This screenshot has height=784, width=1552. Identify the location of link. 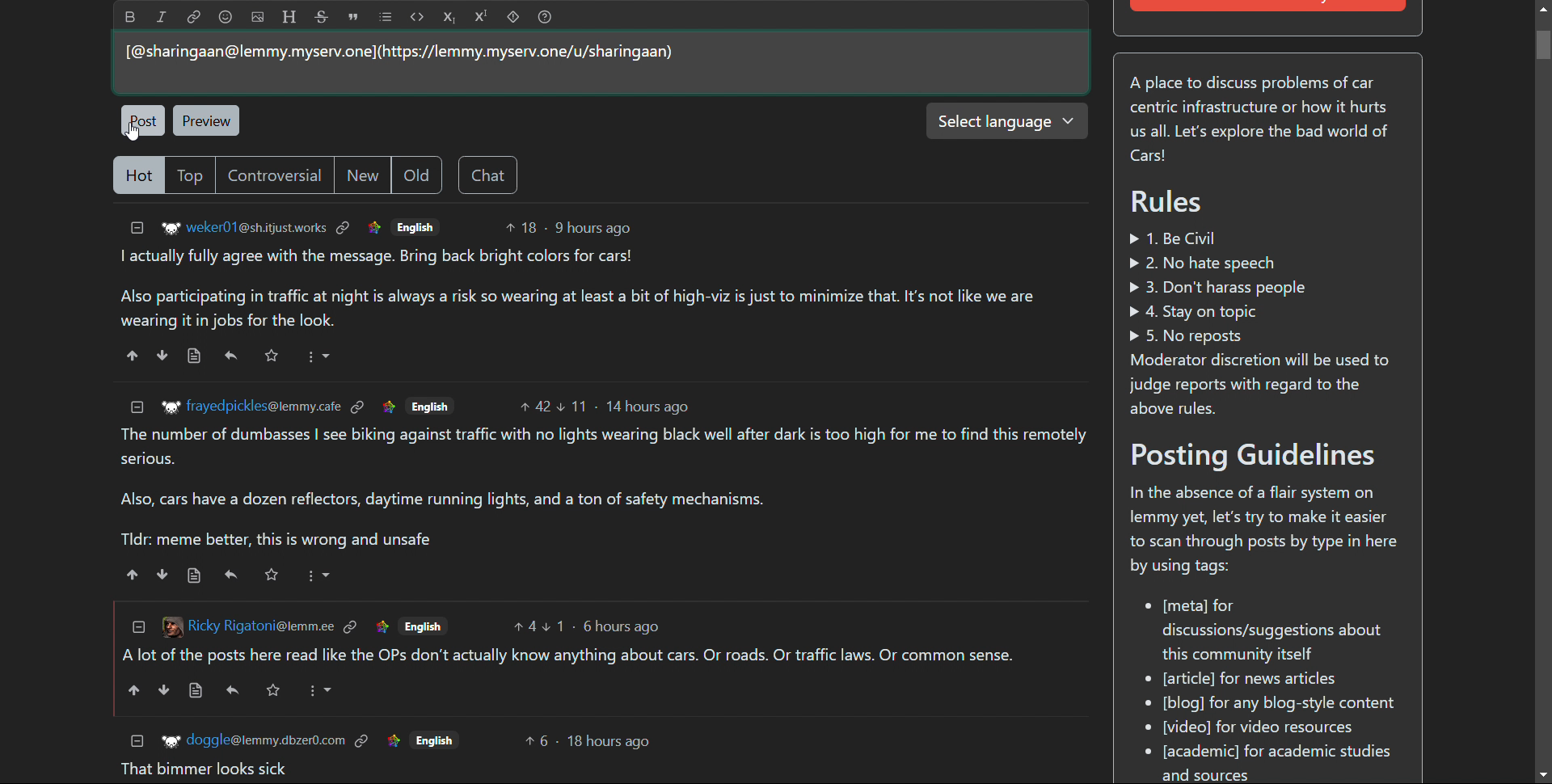
(392, 740).